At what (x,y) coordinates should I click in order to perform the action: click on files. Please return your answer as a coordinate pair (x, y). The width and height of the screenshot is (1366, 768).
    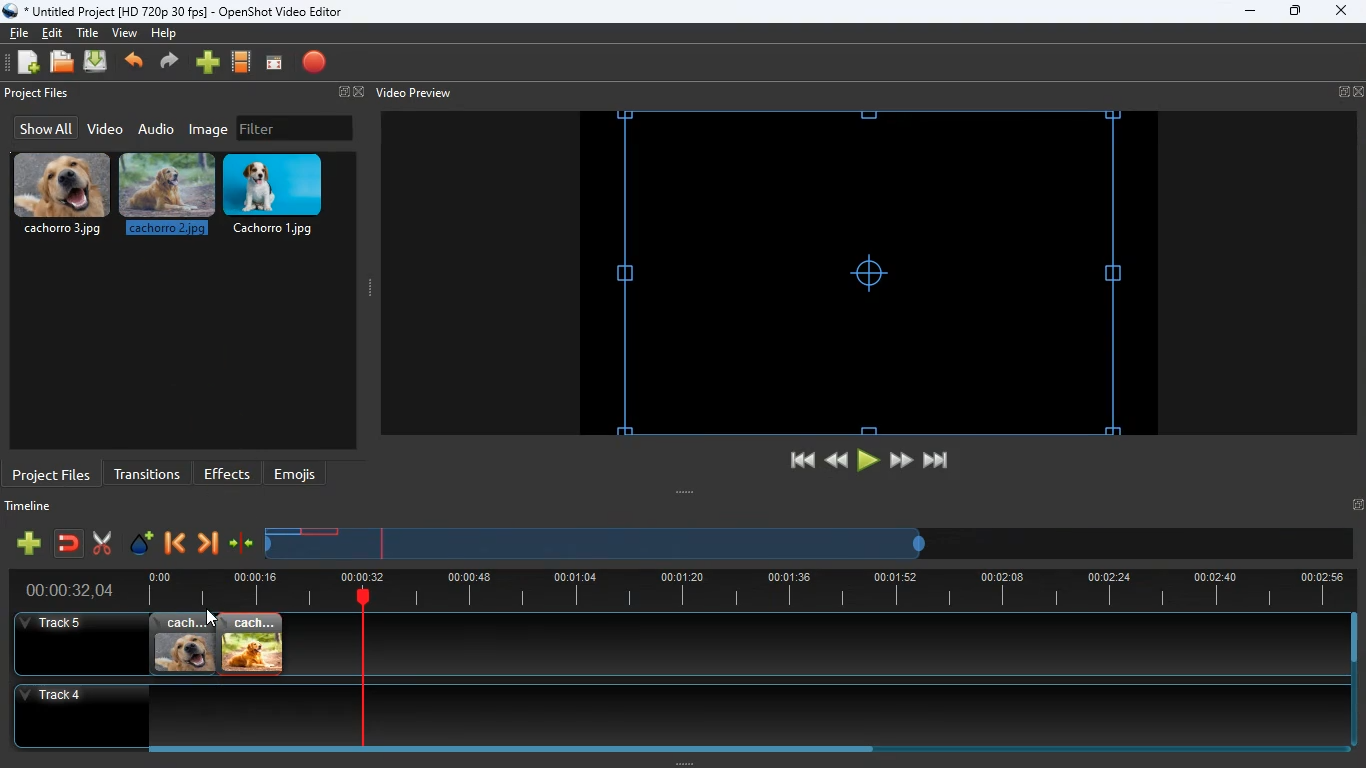
    Looking at the image, I should click on (63, 63).